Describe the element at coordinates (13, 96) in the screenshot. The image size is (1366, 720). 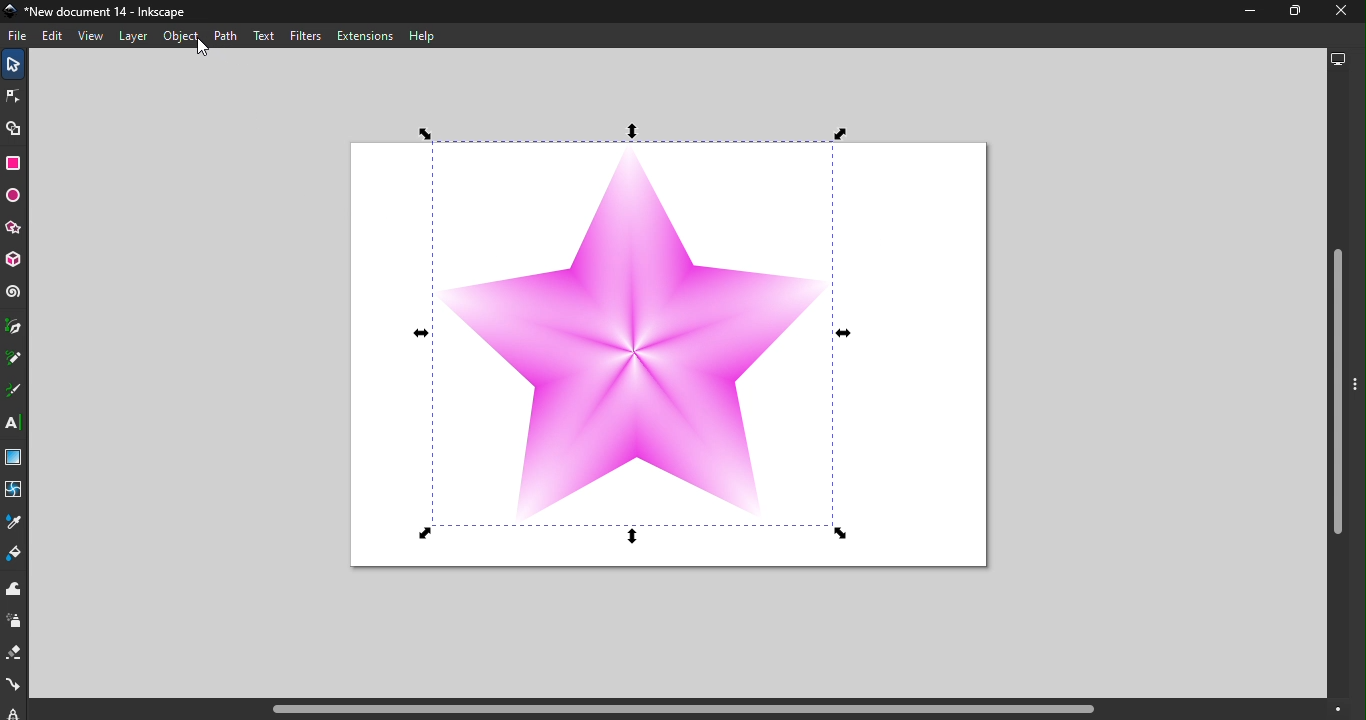
I see `Node tool` at that location.